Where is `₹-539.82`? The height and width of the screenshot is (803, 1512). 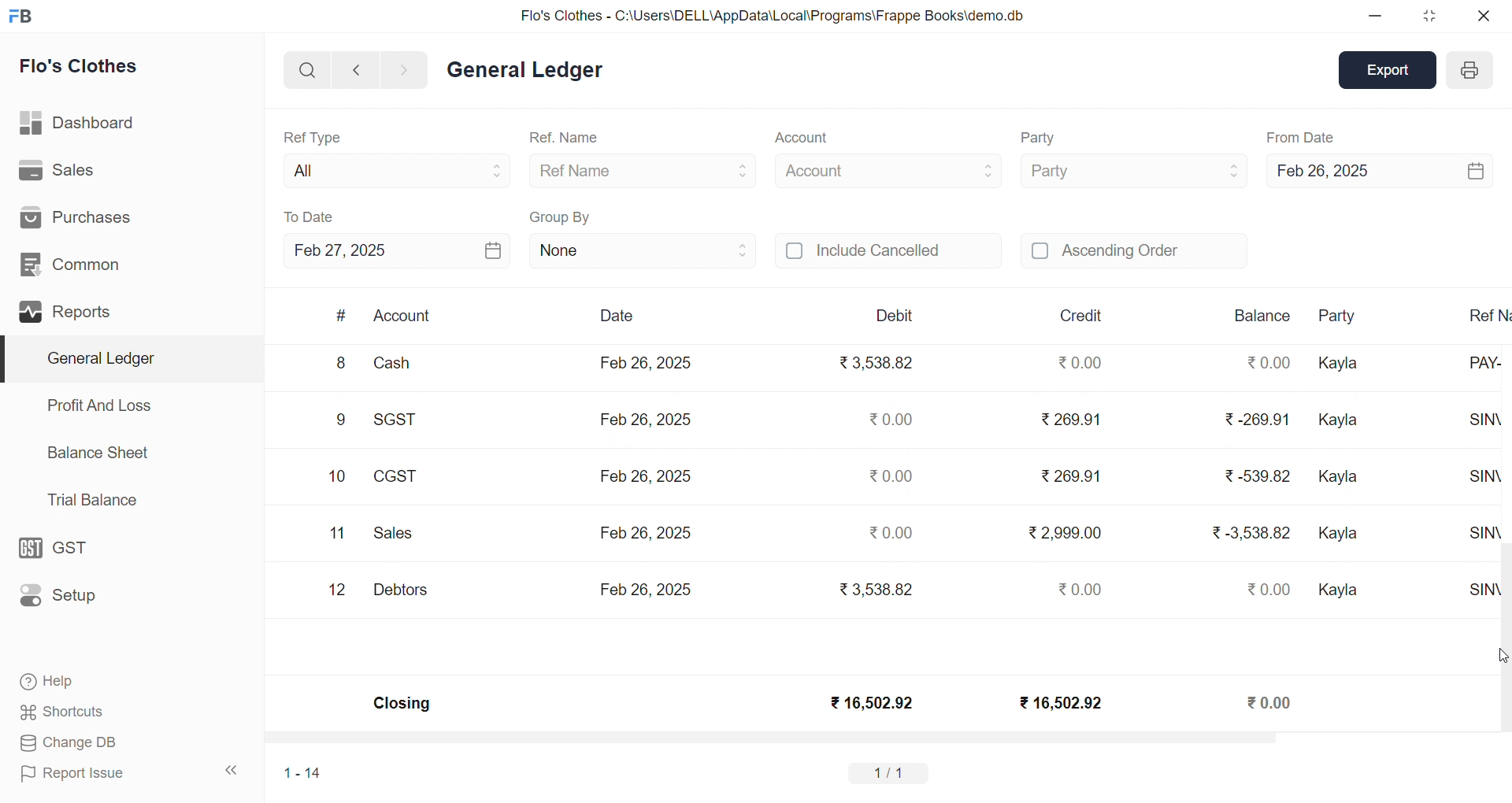 ₹-539.82 is located at coordinates (1256, 479).